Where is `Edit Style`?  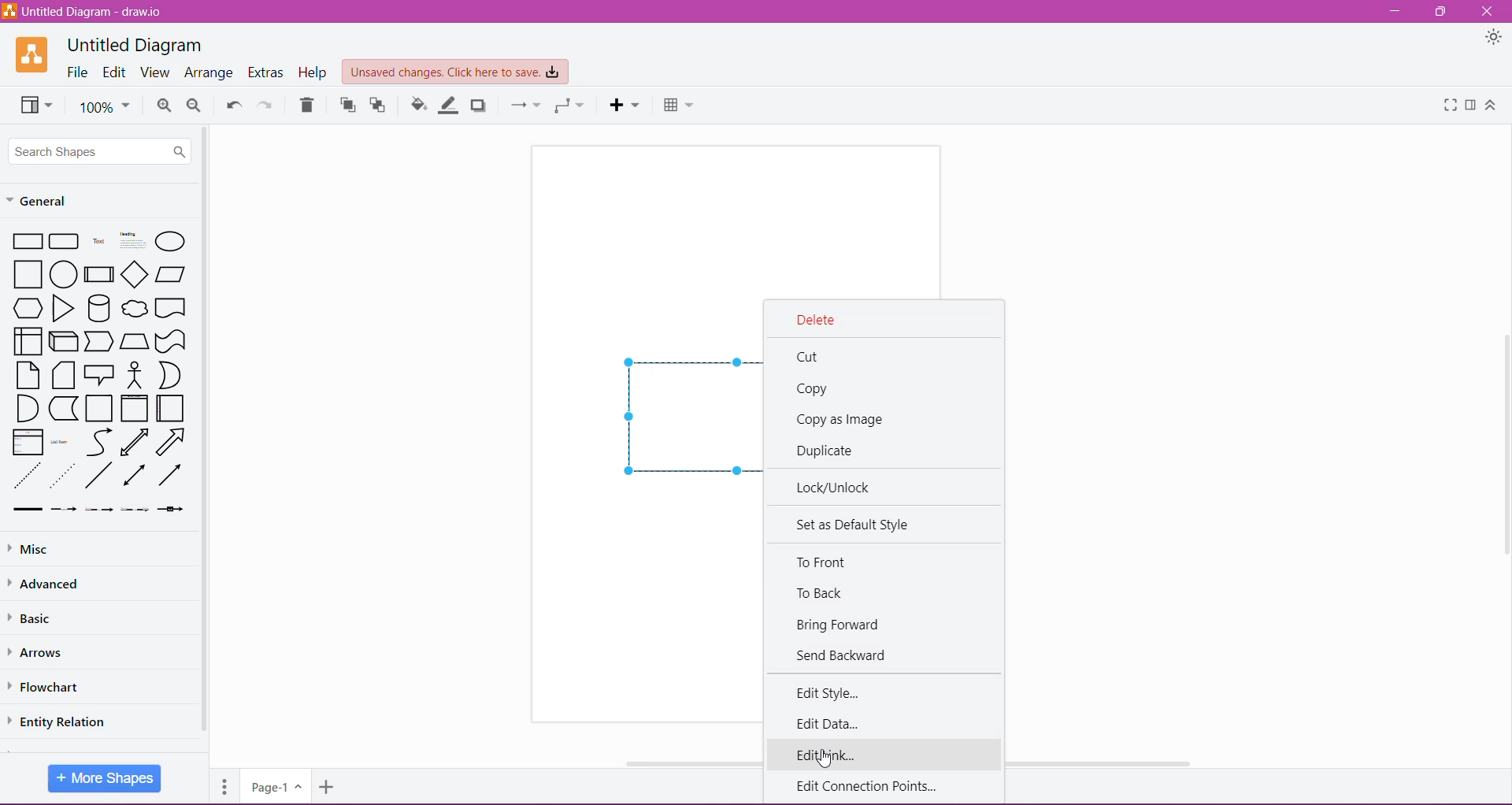 Edit Style is located at coordinates (825, 693).